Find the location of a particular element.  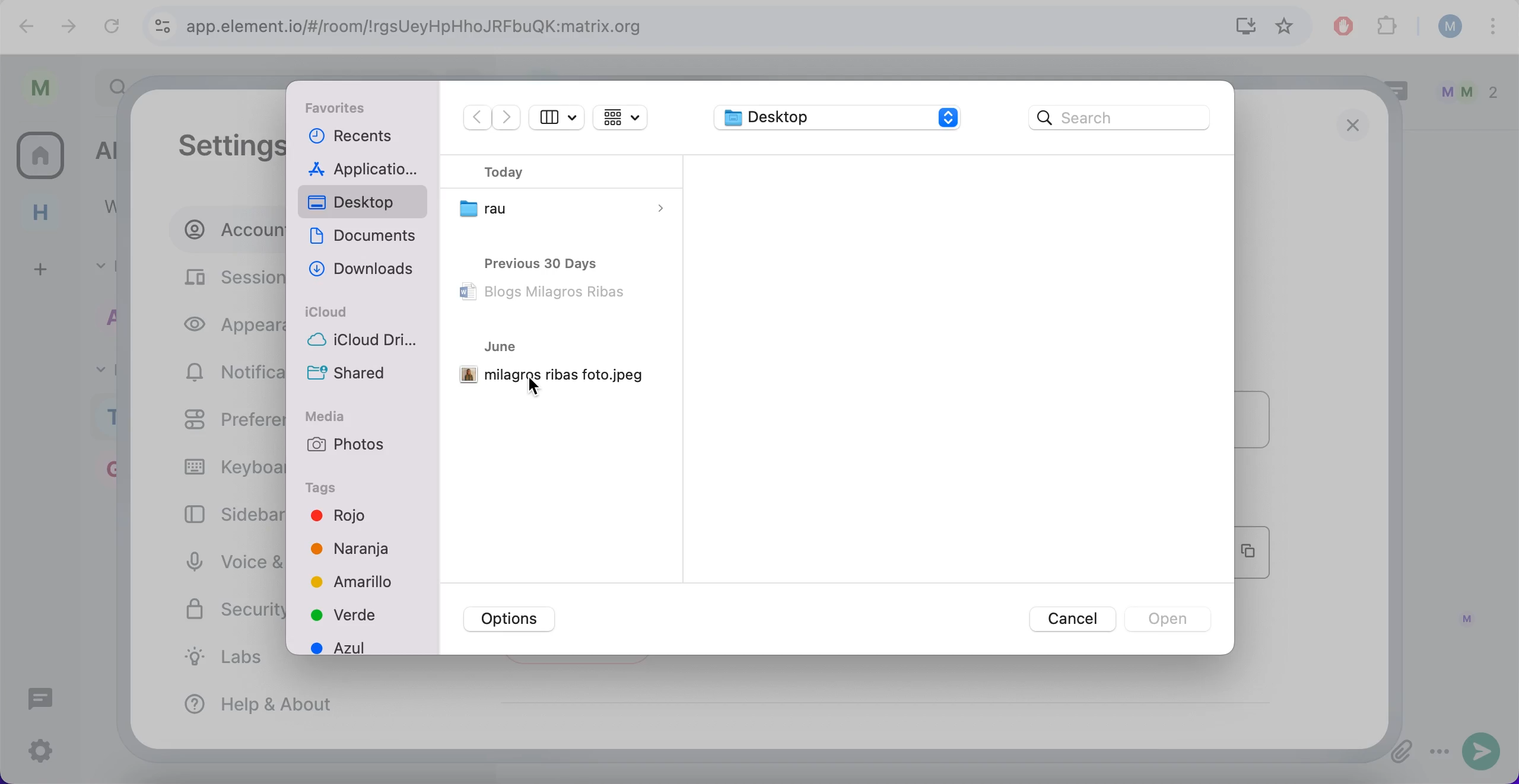

security and privacy is located at coordinates (226, 613).